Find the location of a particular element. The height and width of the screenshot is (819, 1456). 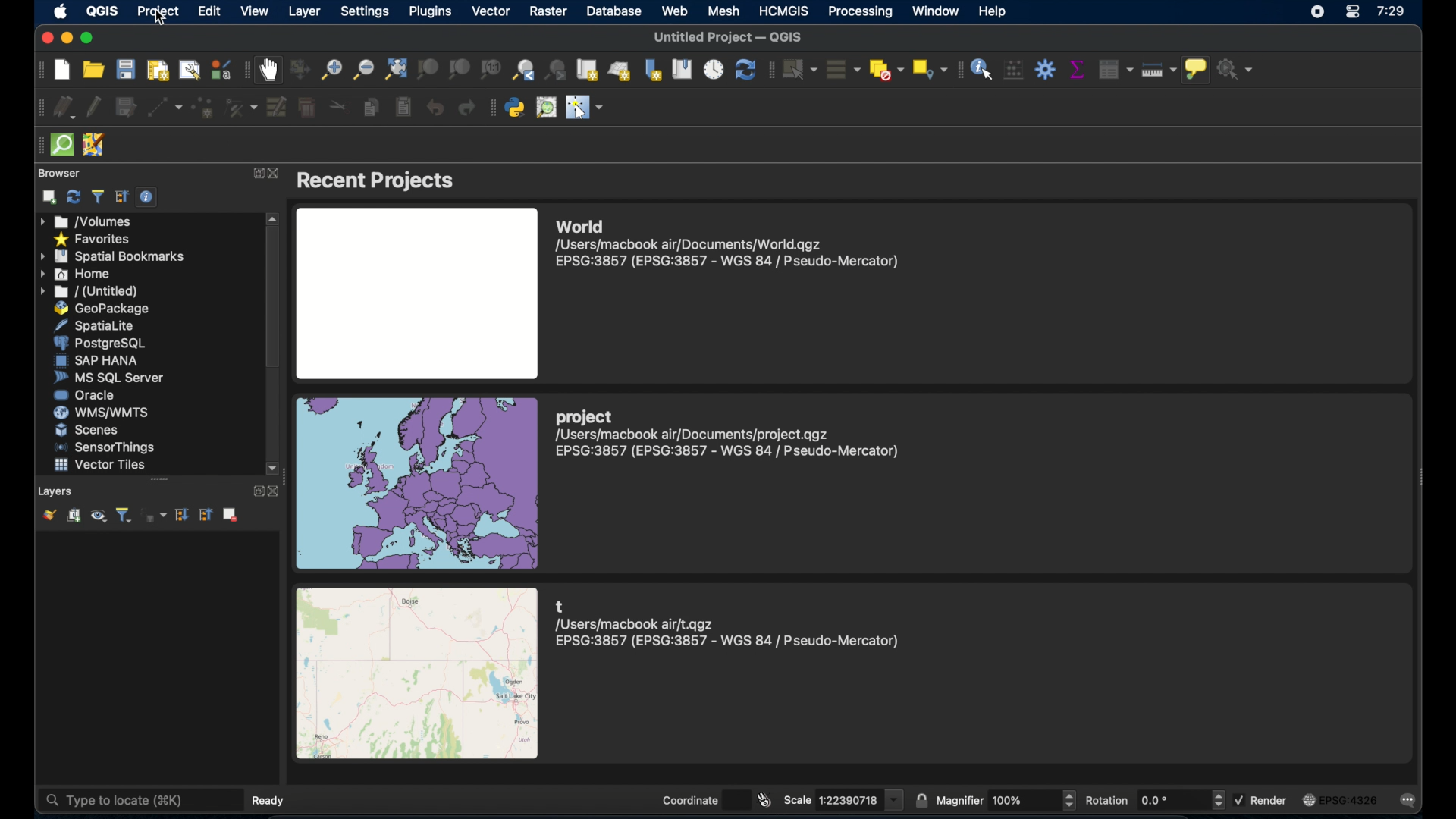

lock is located at coordinates (921, 799).